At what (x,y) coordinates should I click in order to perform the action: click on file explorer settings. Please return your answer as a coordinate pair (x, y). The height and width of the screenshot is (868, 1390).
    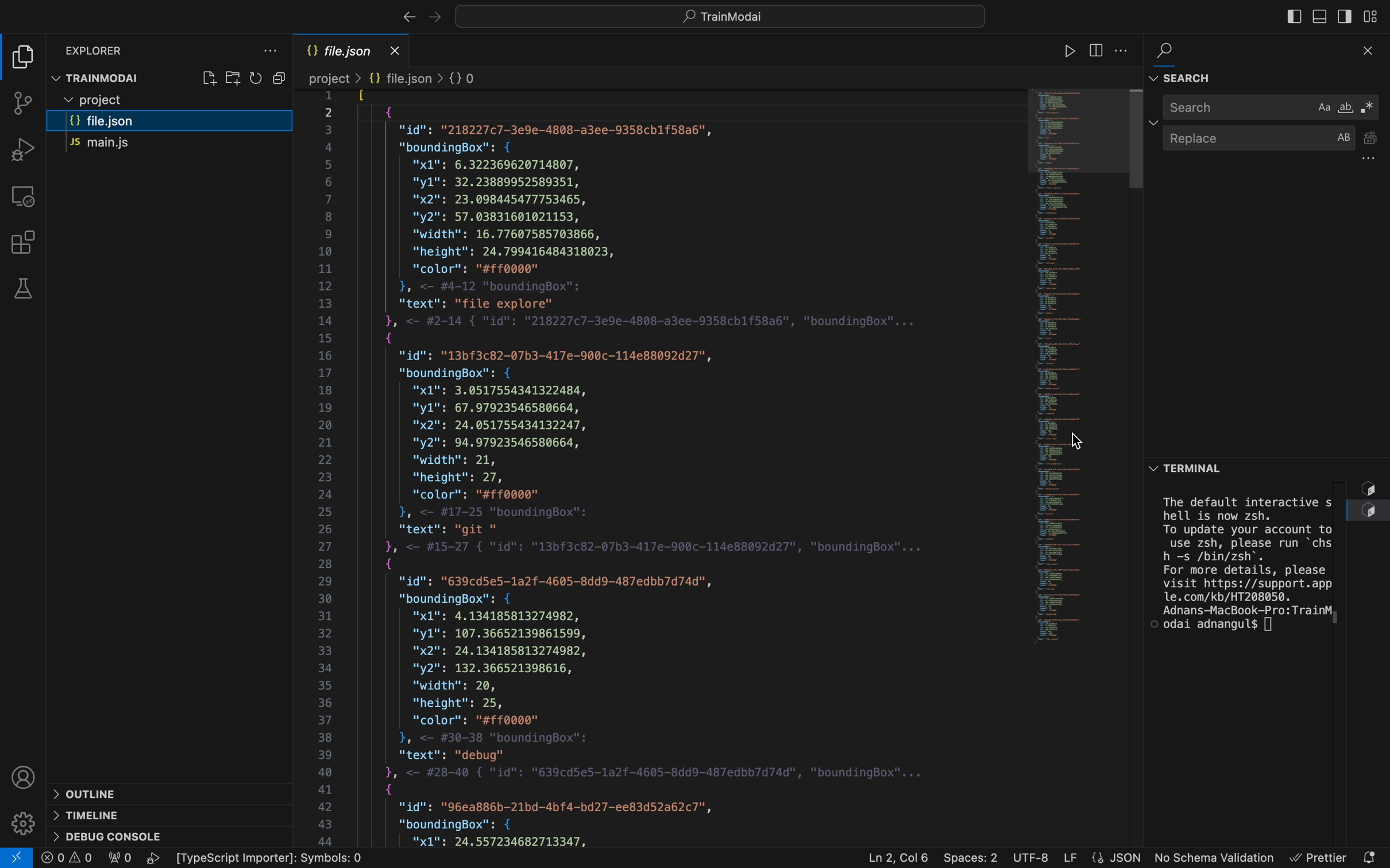
    Looking at the image, I should click on (268, 51).